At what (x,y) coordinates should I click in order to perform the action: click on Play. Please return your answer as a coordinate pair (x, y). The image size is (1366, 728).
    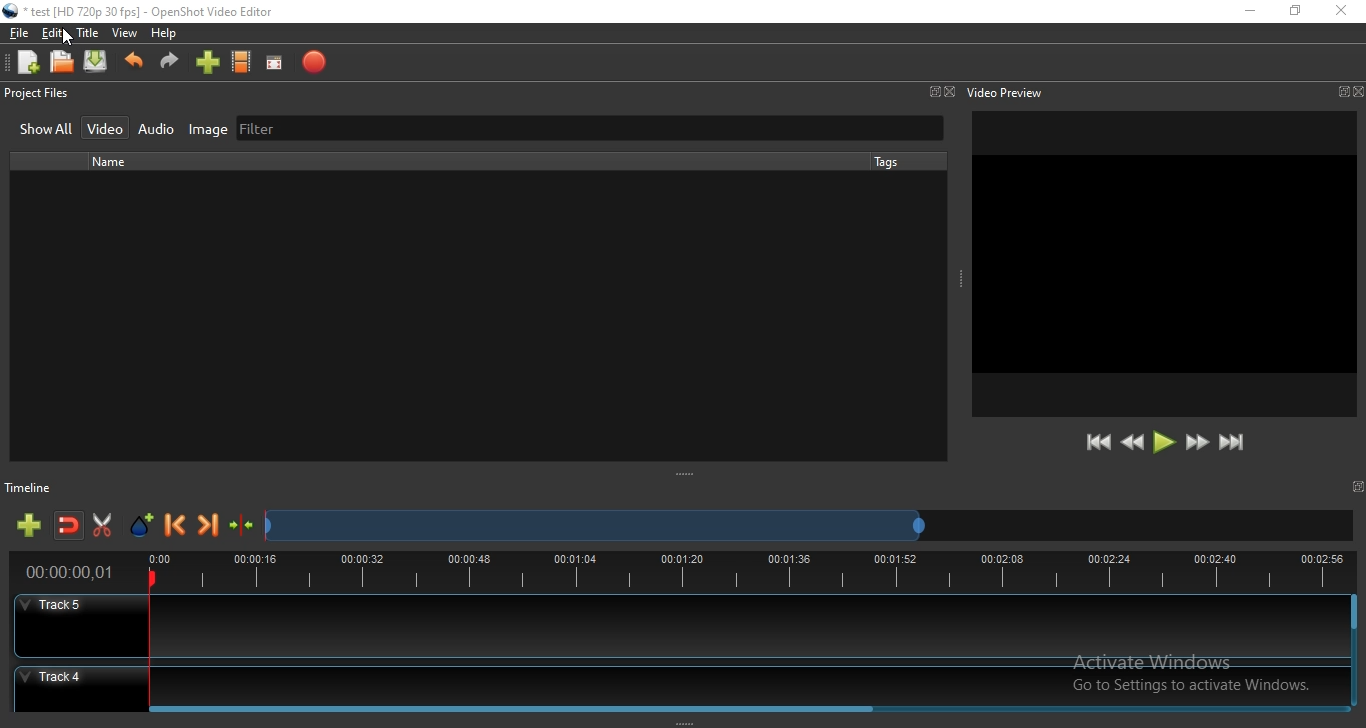
    Looking at the image, I should click on (1164, 443).